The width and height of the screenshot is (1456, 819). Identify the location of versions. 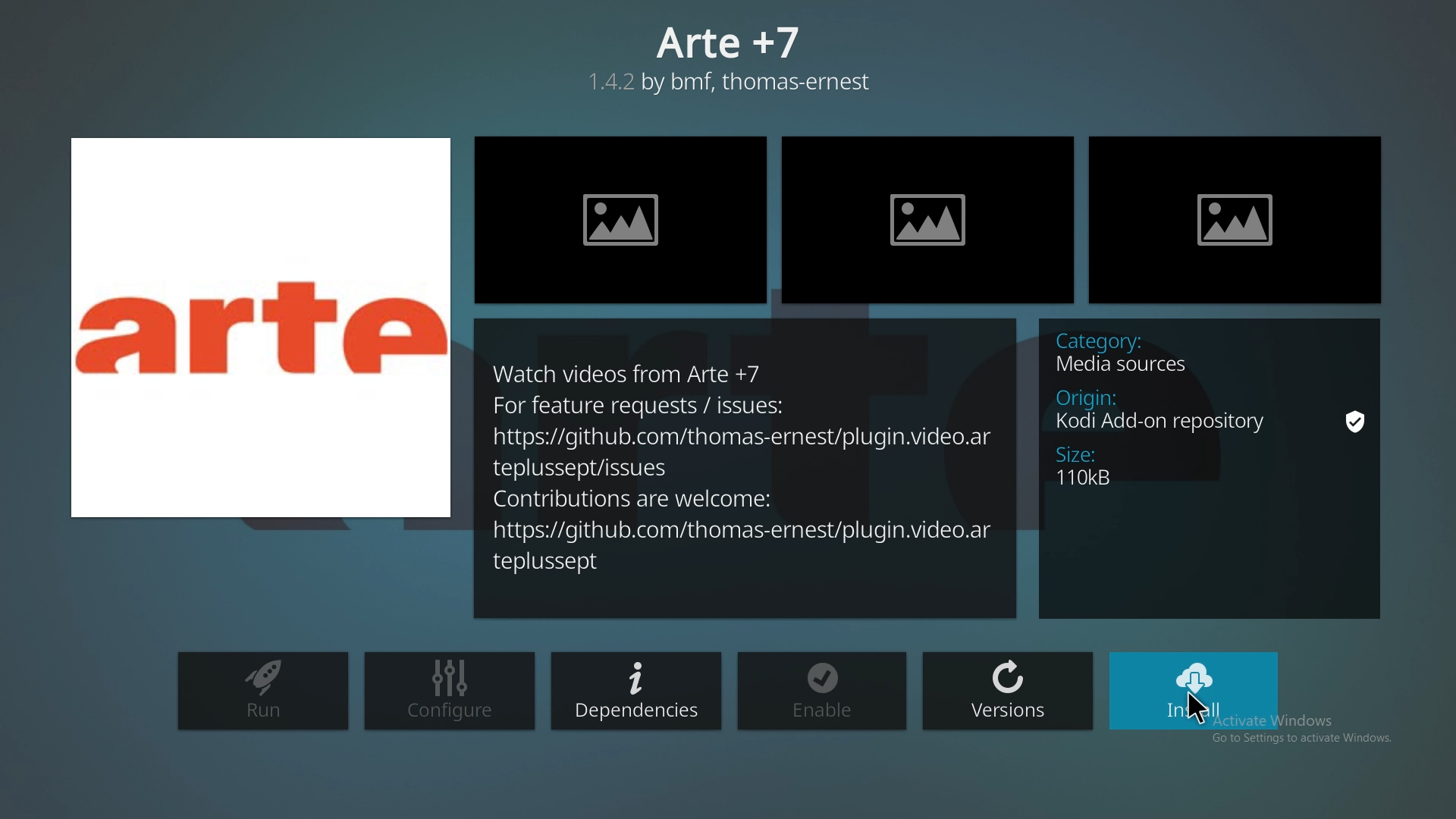
(1010, 692).